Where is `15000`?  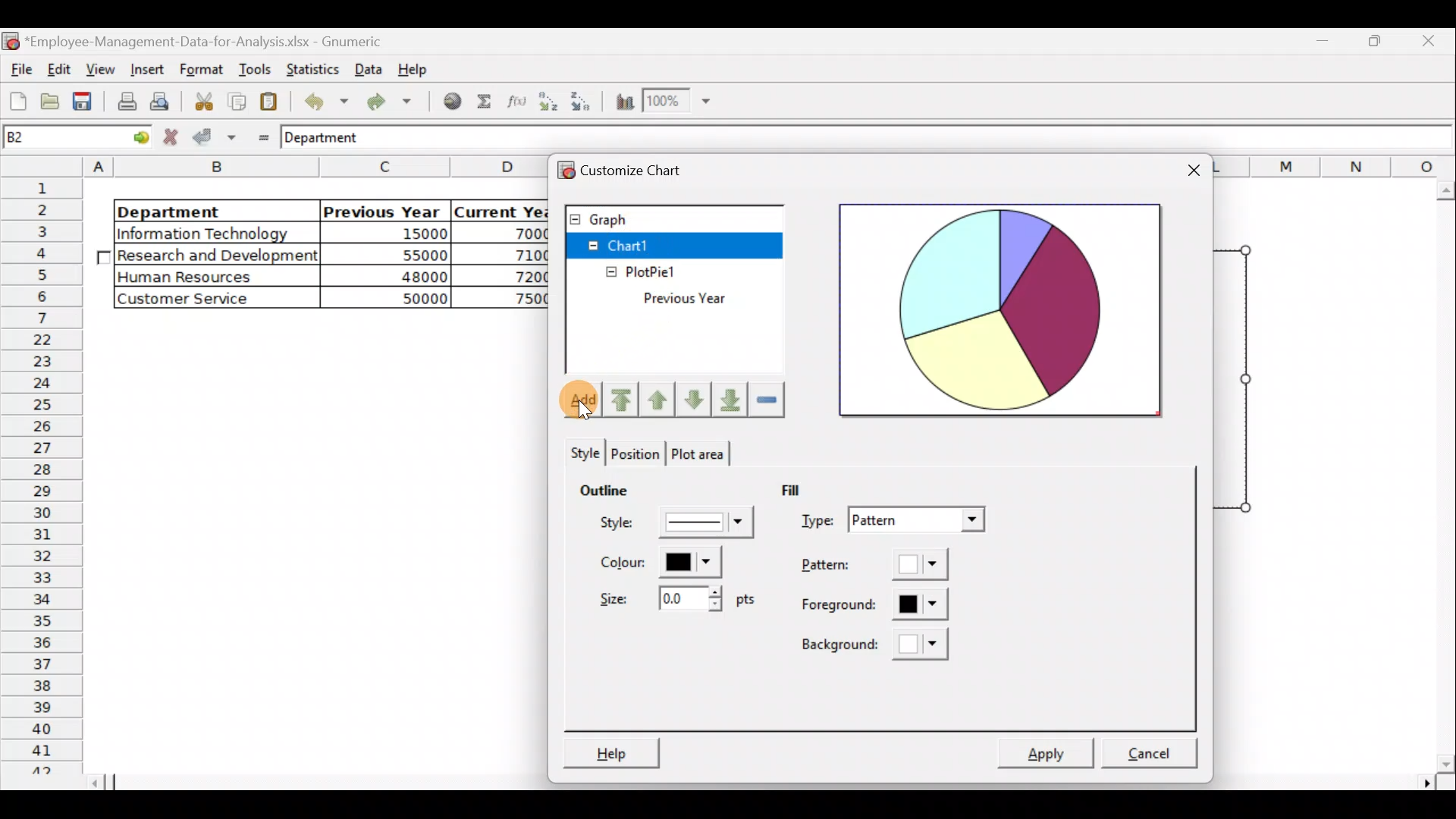 15000 is located at coordinates (397, 236).